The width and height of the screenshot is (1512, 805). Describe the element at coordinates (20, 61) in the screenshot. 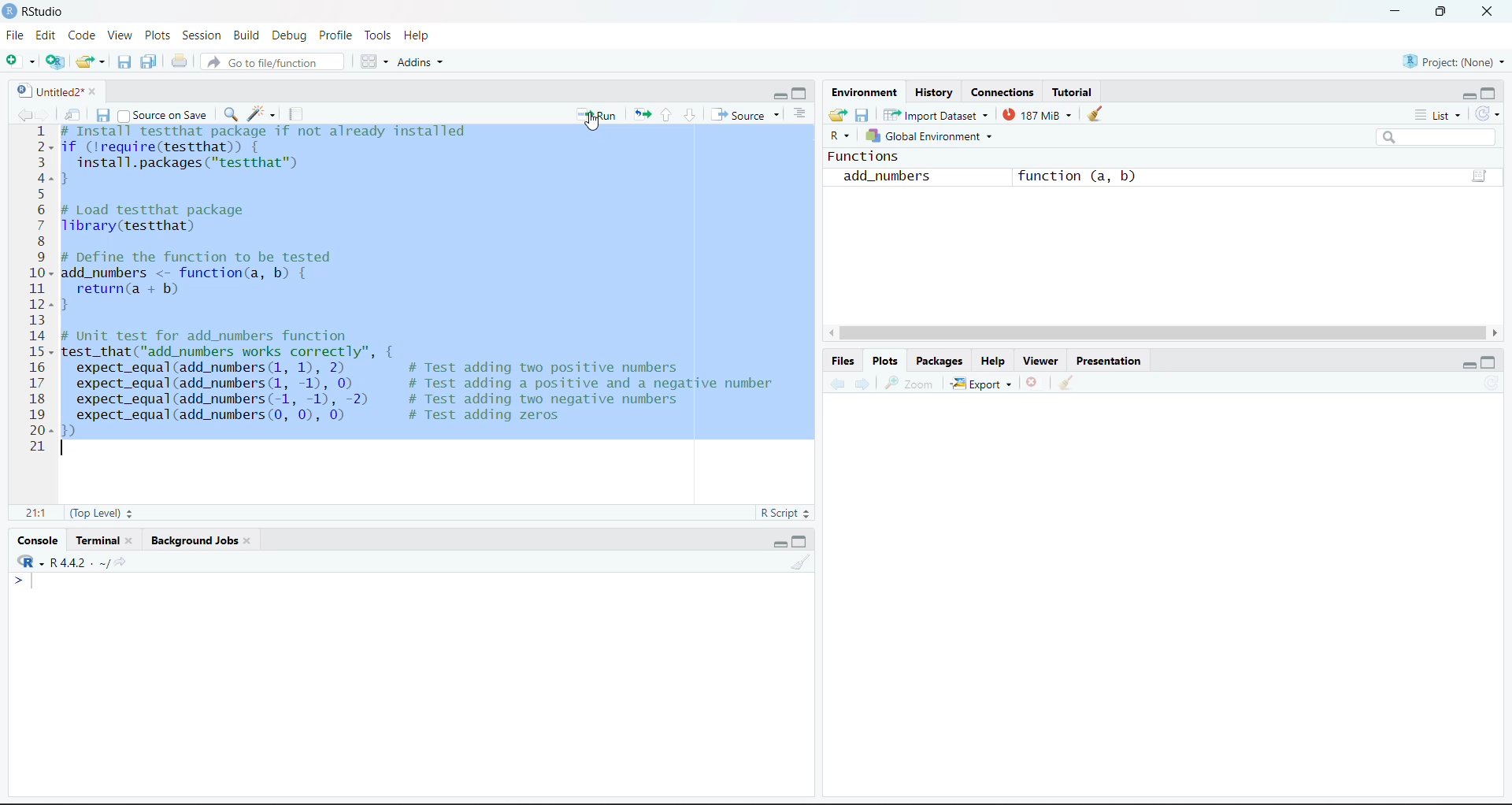

I see `new file` at that location.